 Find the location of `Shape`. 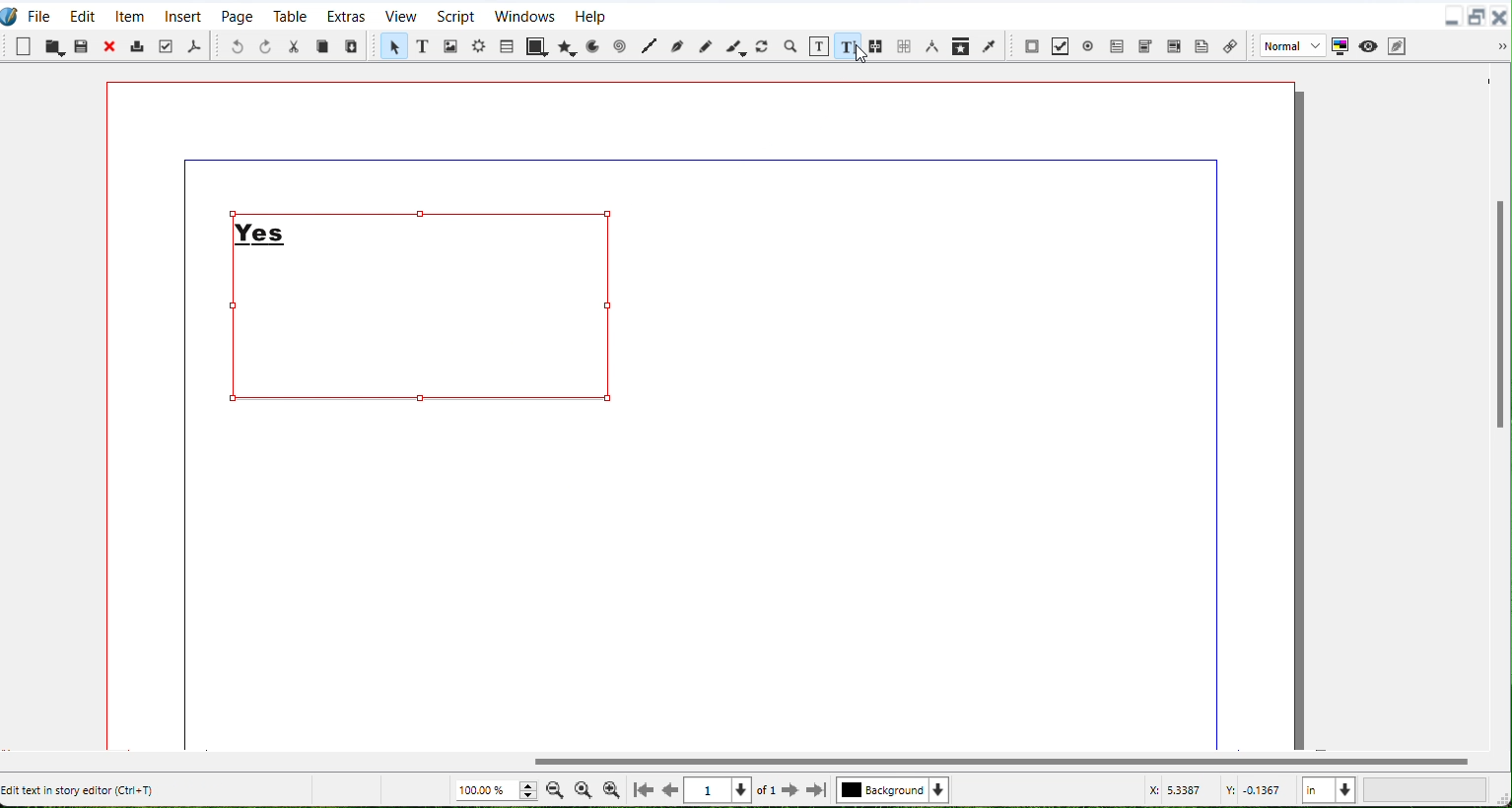

Shape is located at coordinates (535, 47).